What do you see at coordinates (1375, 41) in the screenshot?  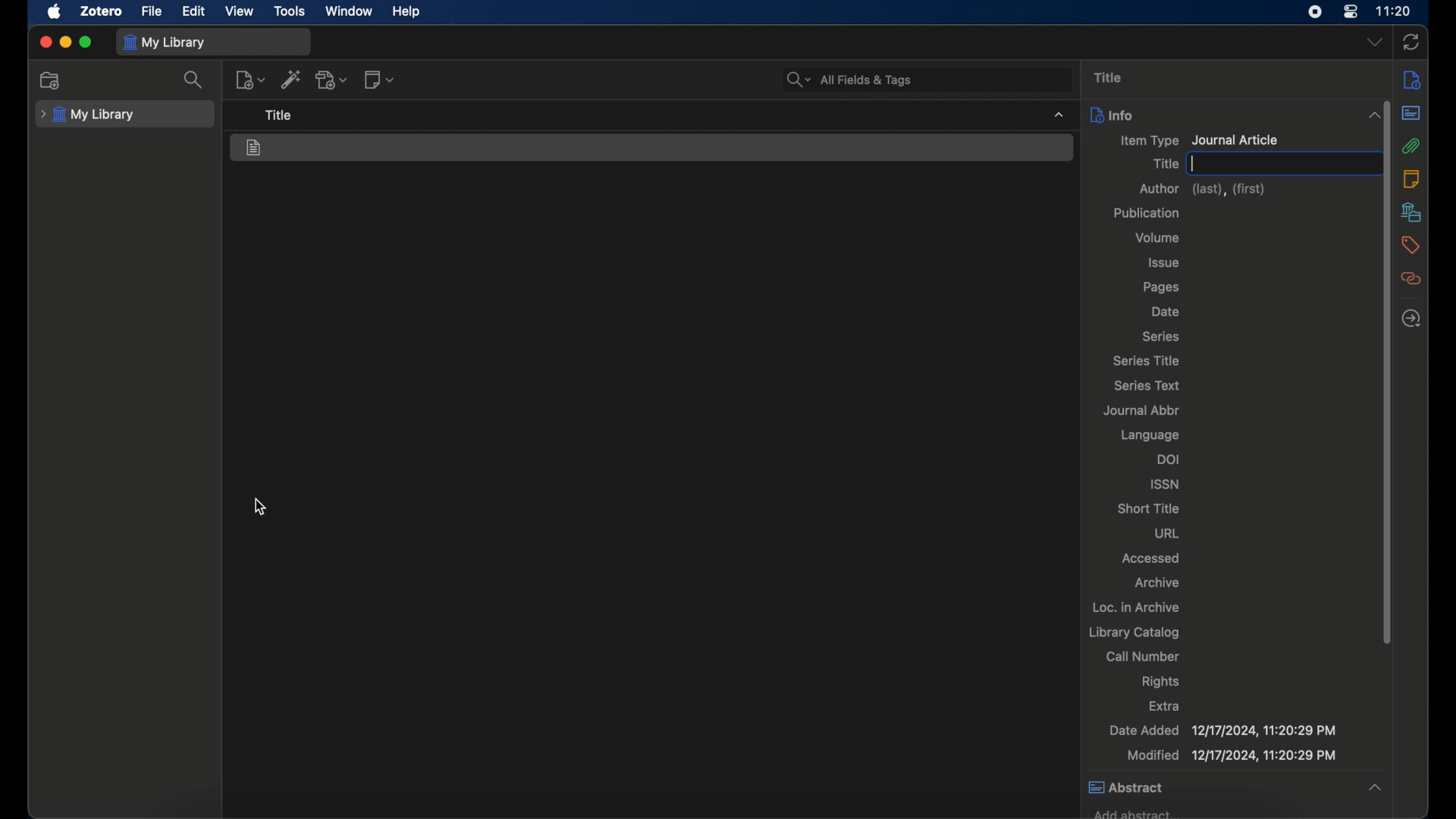 I see `dropdown` at bounding box center [1375, 41].